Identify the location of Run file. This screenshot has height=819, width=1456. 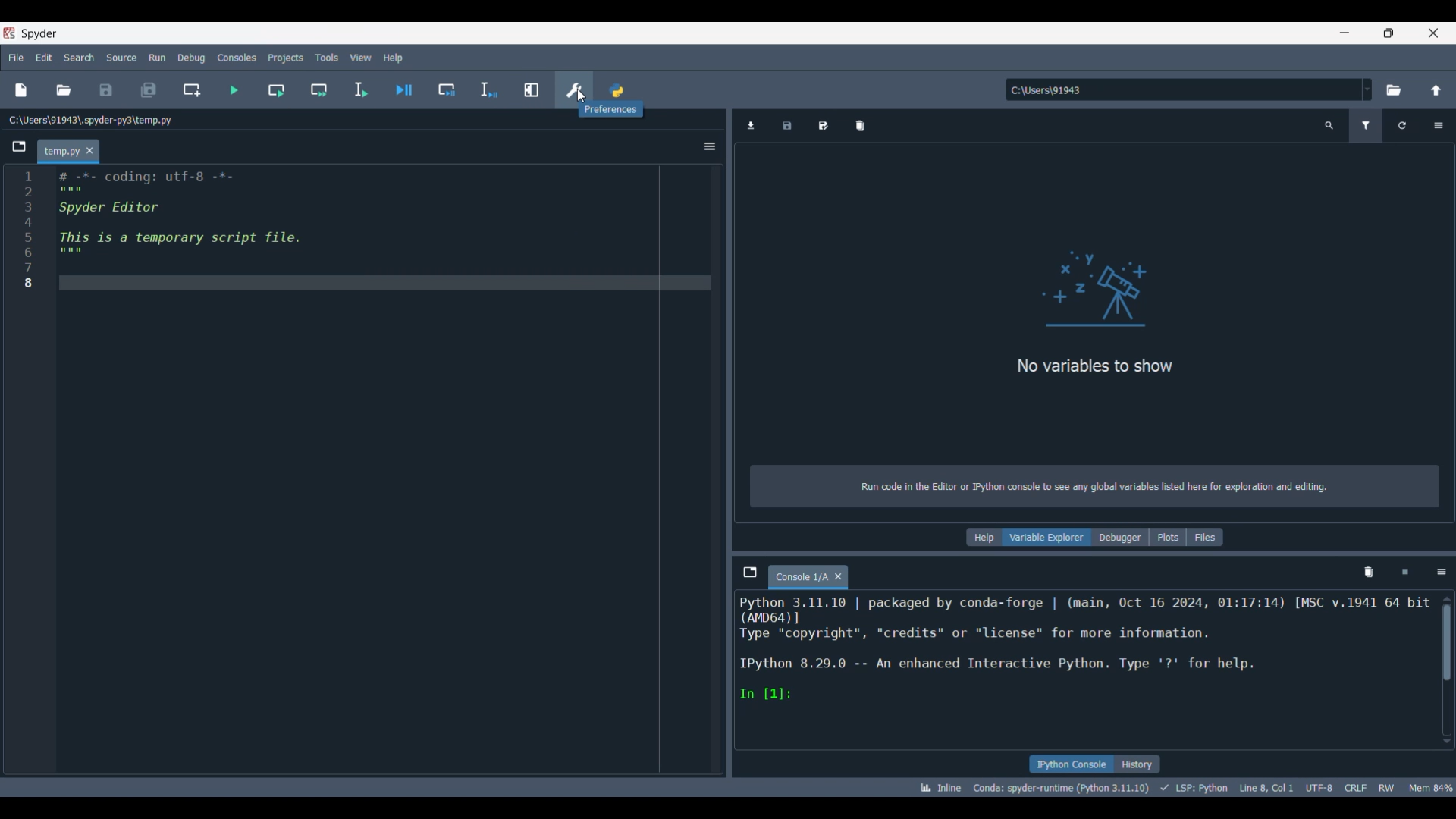
(234, 90).